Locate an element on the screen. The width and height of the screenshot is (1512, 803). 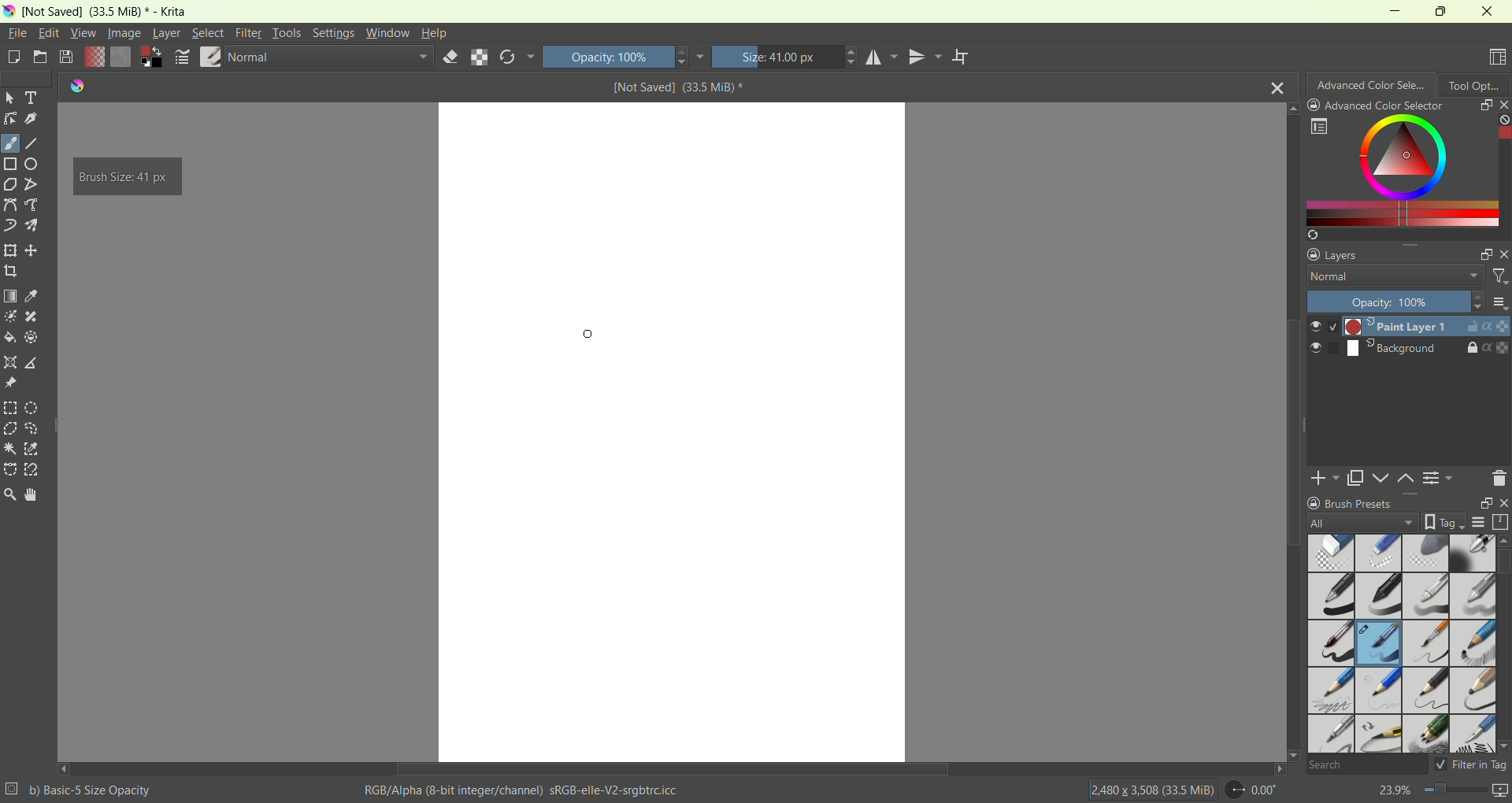
options is located at coordinates (1318, 127).